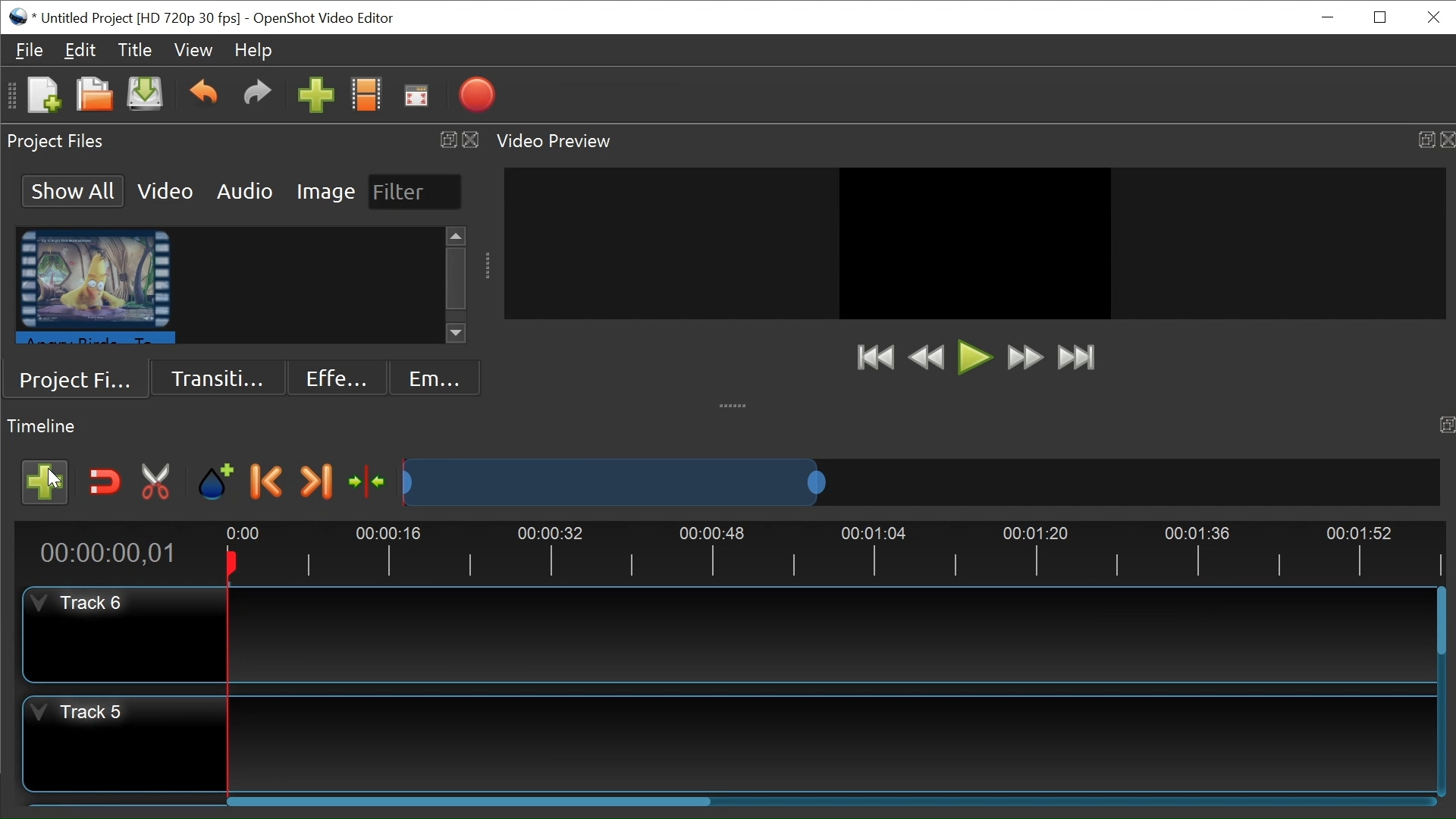  What do you see at coordinates (465, 798) in the screenshot?
I see `Horizontal Scroll bar` at bounding box center [465, 798].